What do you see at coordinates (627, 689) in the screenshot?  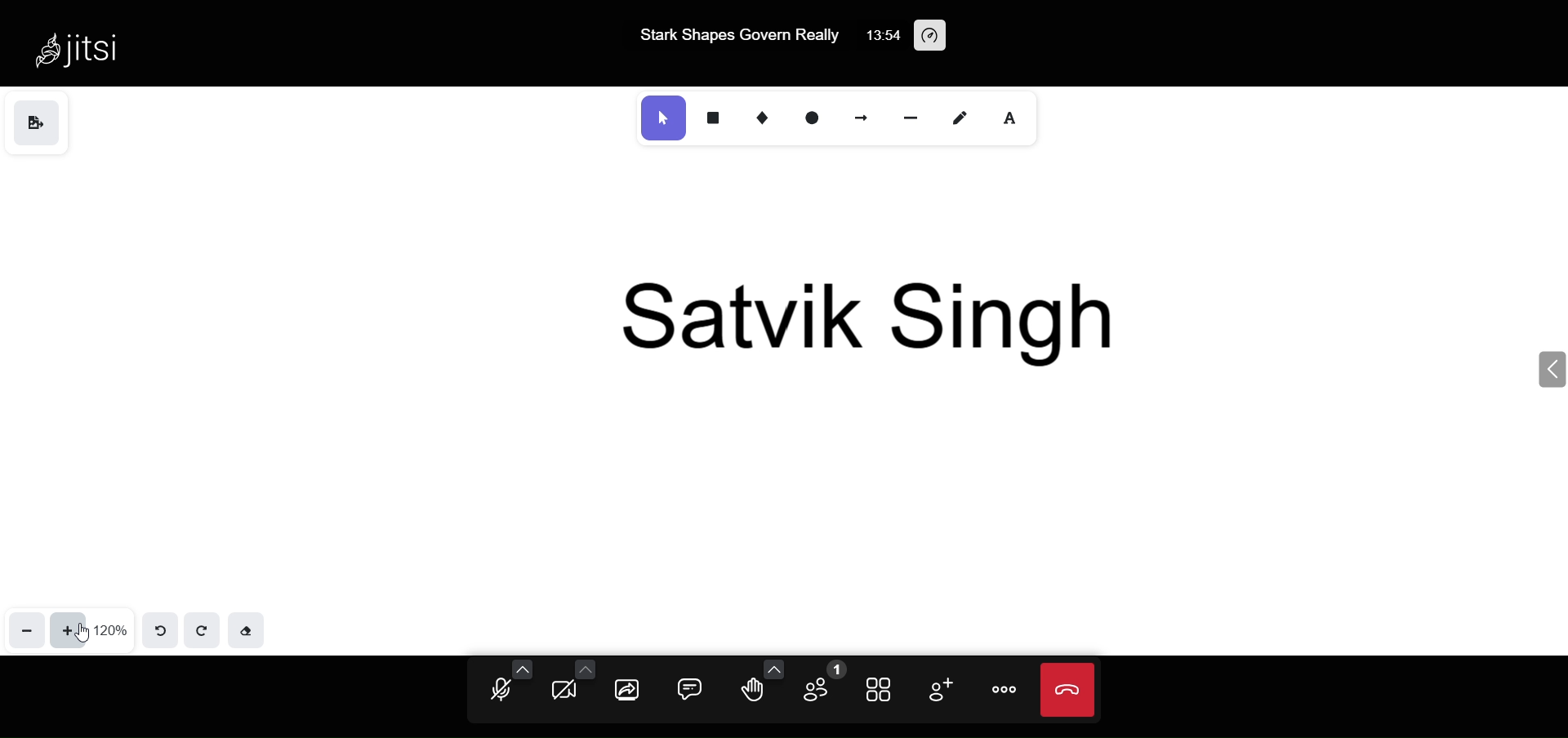 I see `screen share` at bounding box center [627, 689].